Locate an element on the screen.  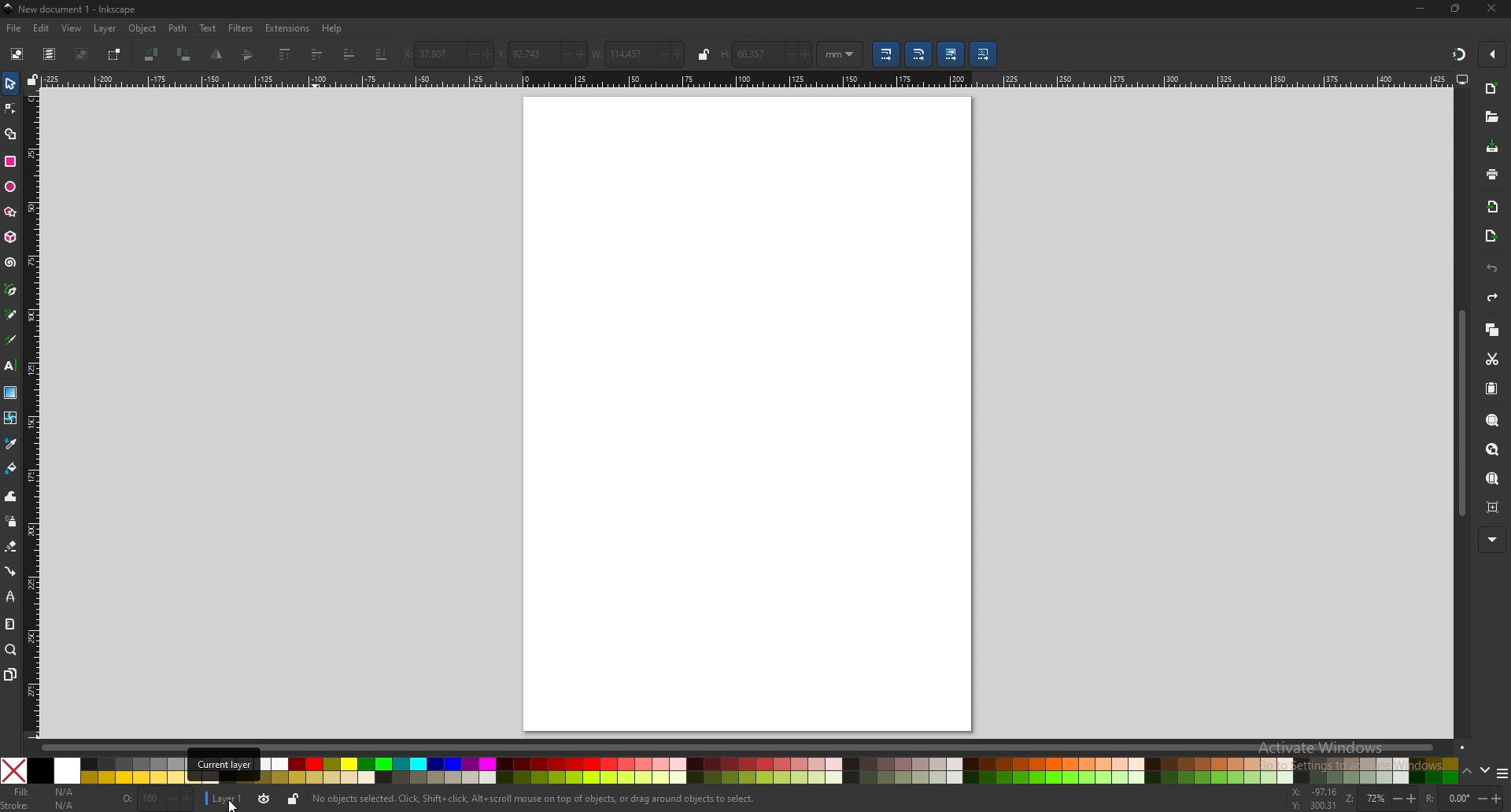
decrease is located at coordinates (563, 54).